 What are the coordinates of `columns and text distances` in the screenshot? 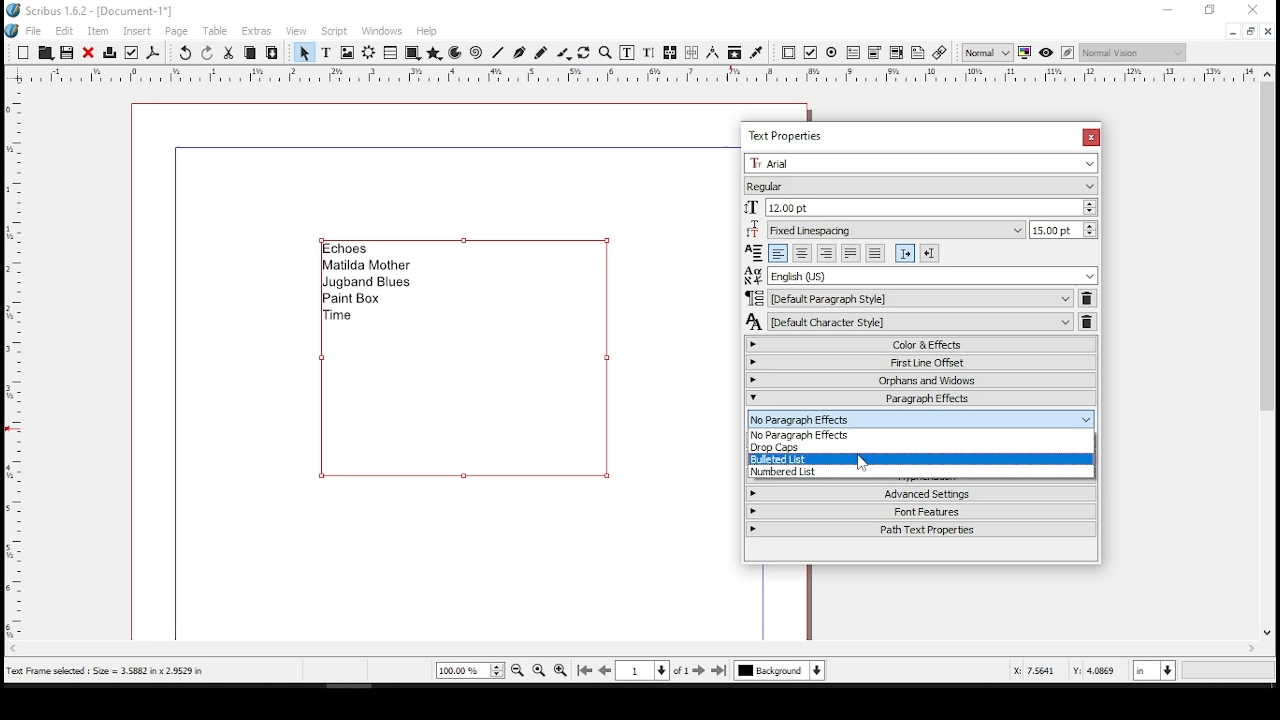 It's located at (921, 416).